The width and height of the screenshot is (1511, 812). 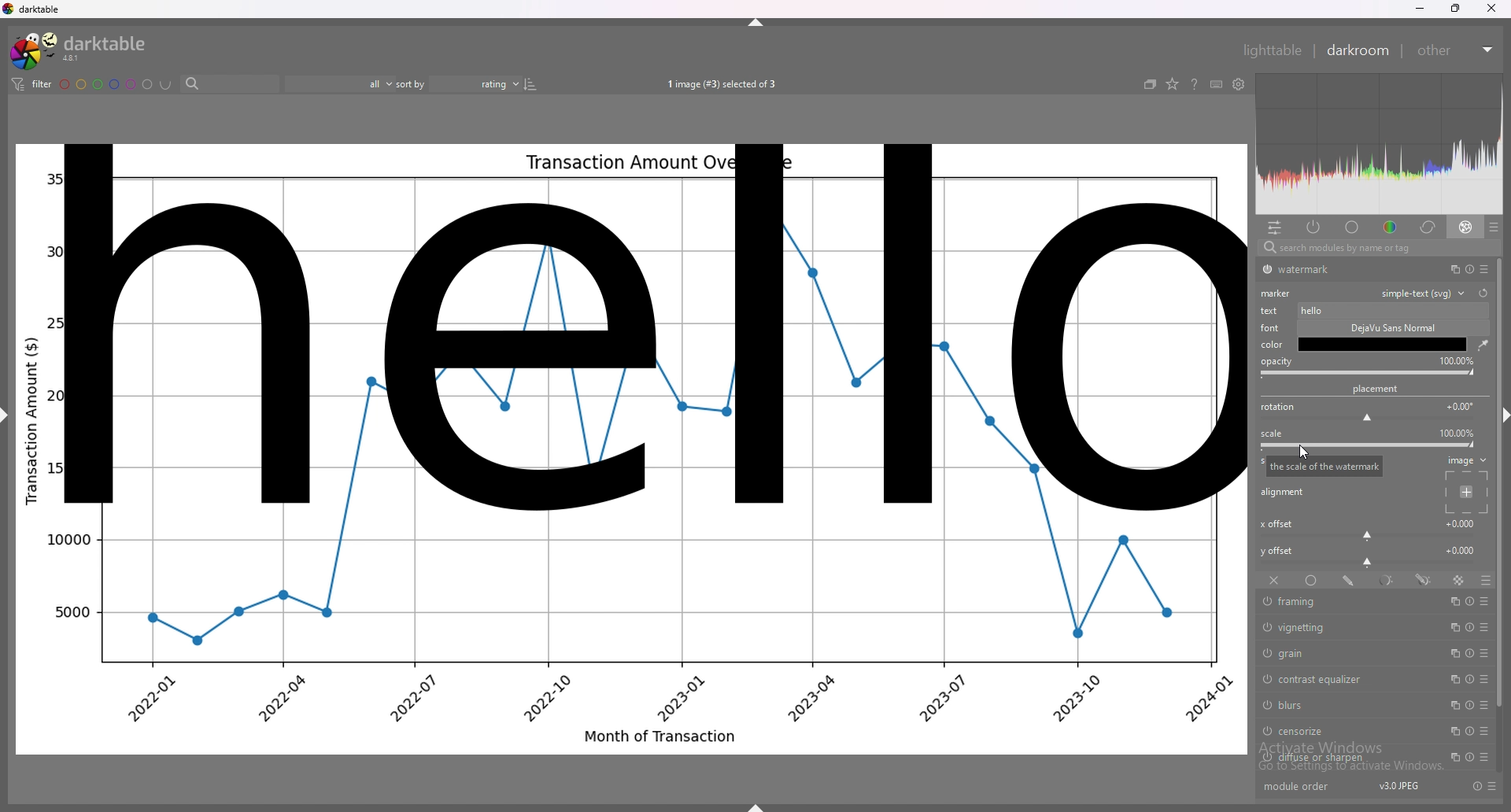 What do you see at coordinates (34, 9) in the screenshot?
I see `darktable` at bounding box center [34, 9].